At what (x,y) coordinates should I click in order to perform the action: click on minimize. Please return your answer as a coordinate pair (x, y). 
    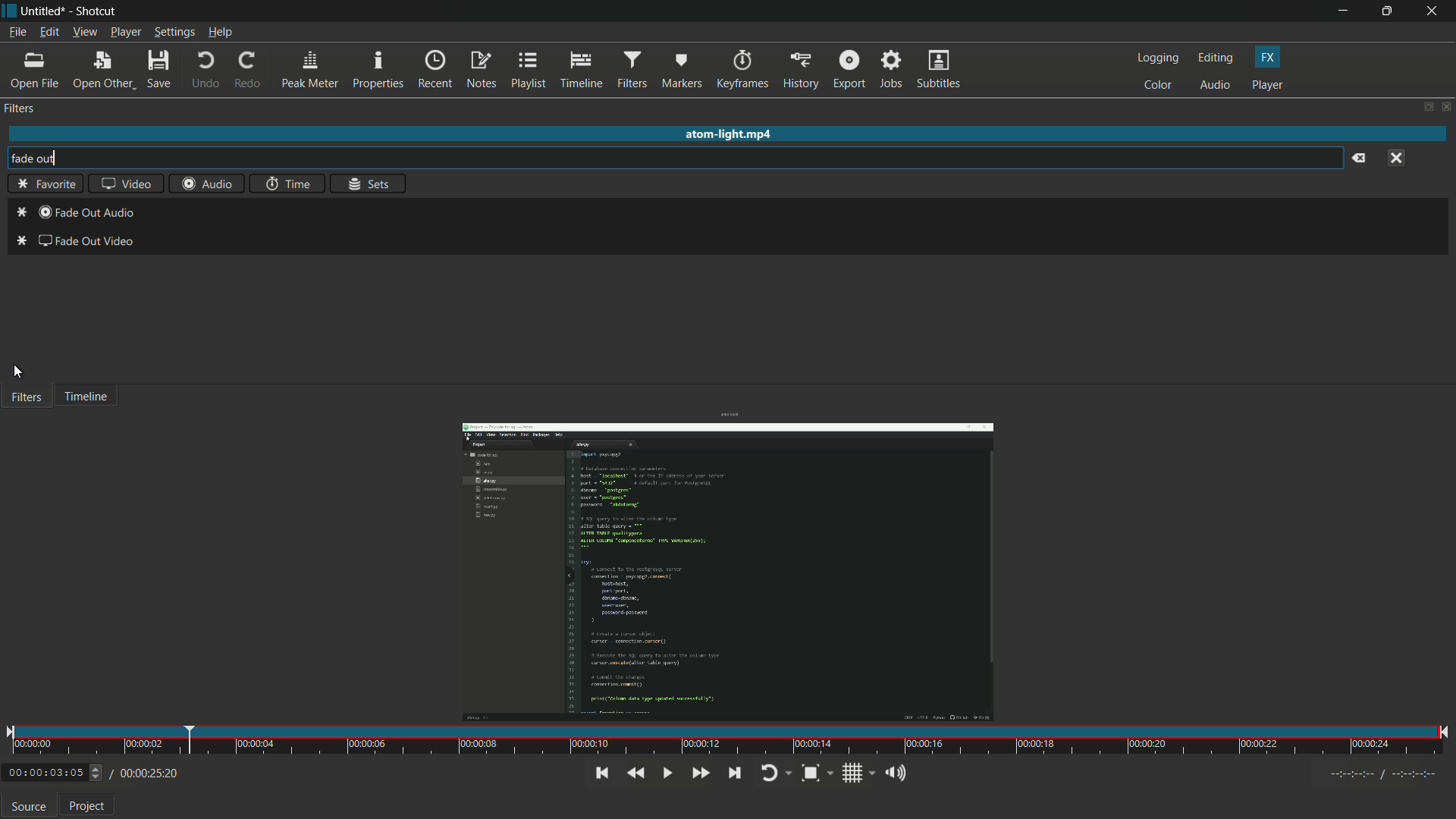
    Looking at the image, I should click on (1341, 11).